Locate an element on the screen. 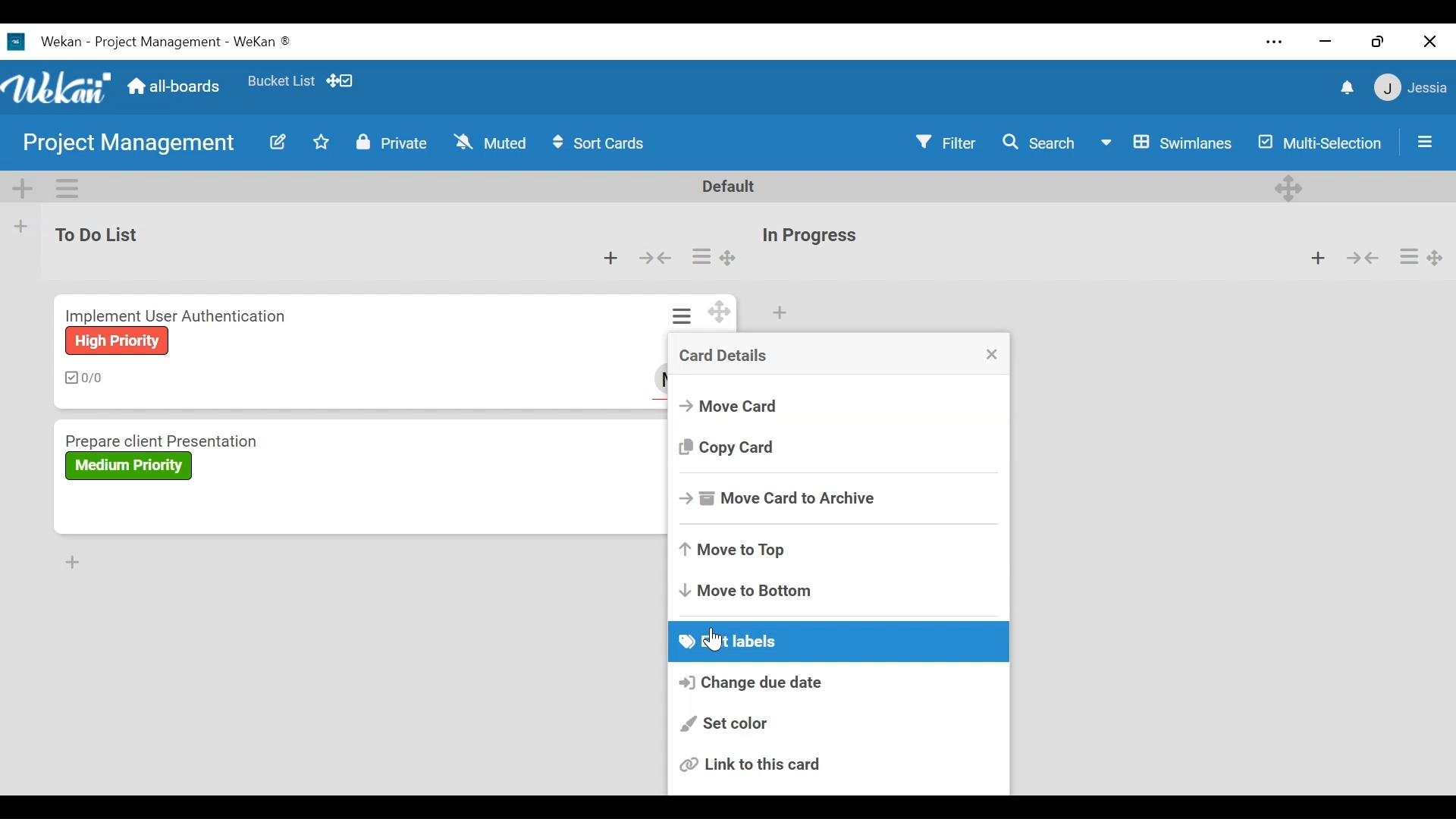 This screenshot has width=1456, height=819. Multi-Selection is located at coordinates (1317, 142).